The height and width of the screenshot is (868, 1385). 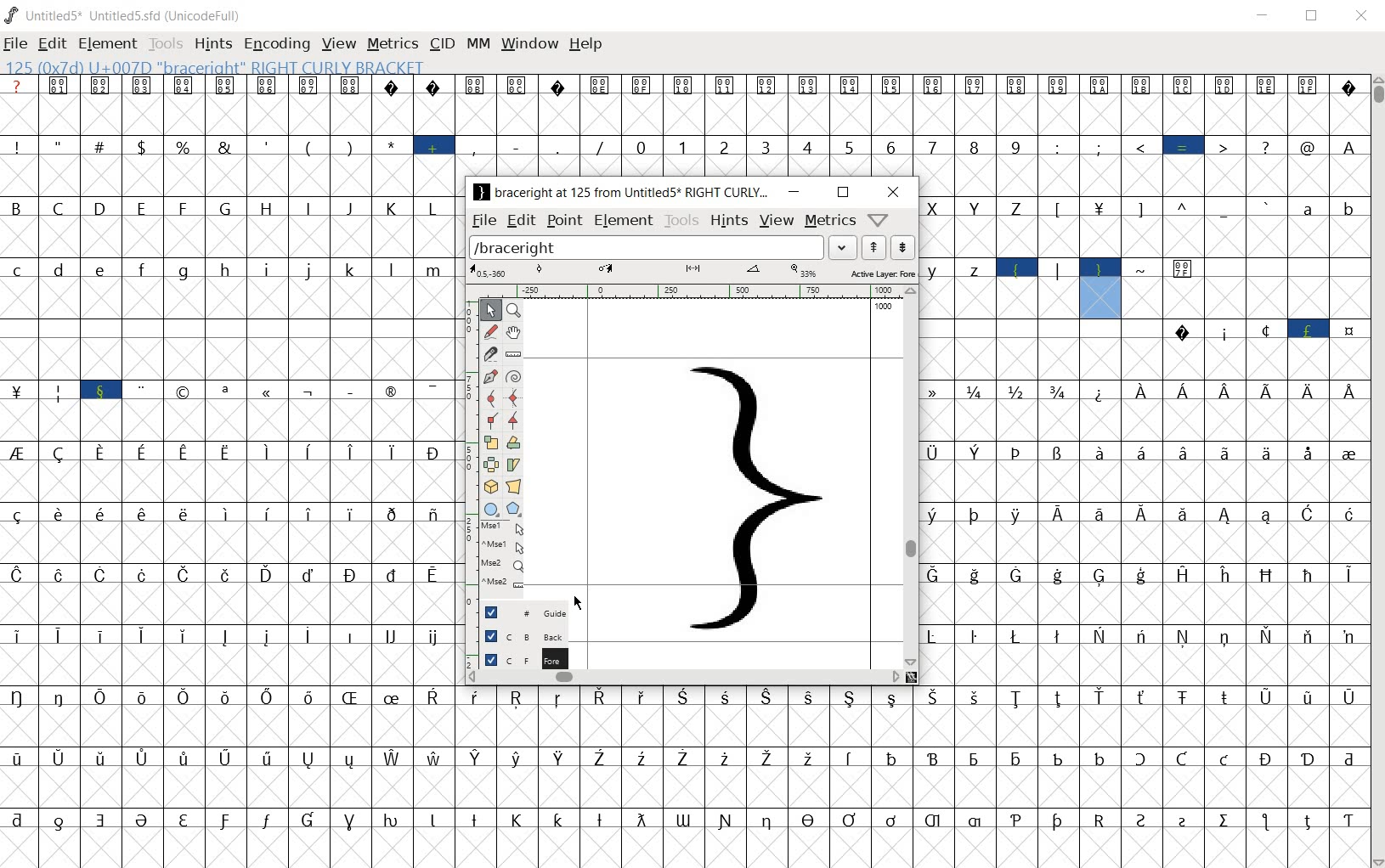 What do you see at coordinates (489, 487) in the screenshot?
I see `rotate the selection in 3D and project back to plane` at bounding box center [489, 487].